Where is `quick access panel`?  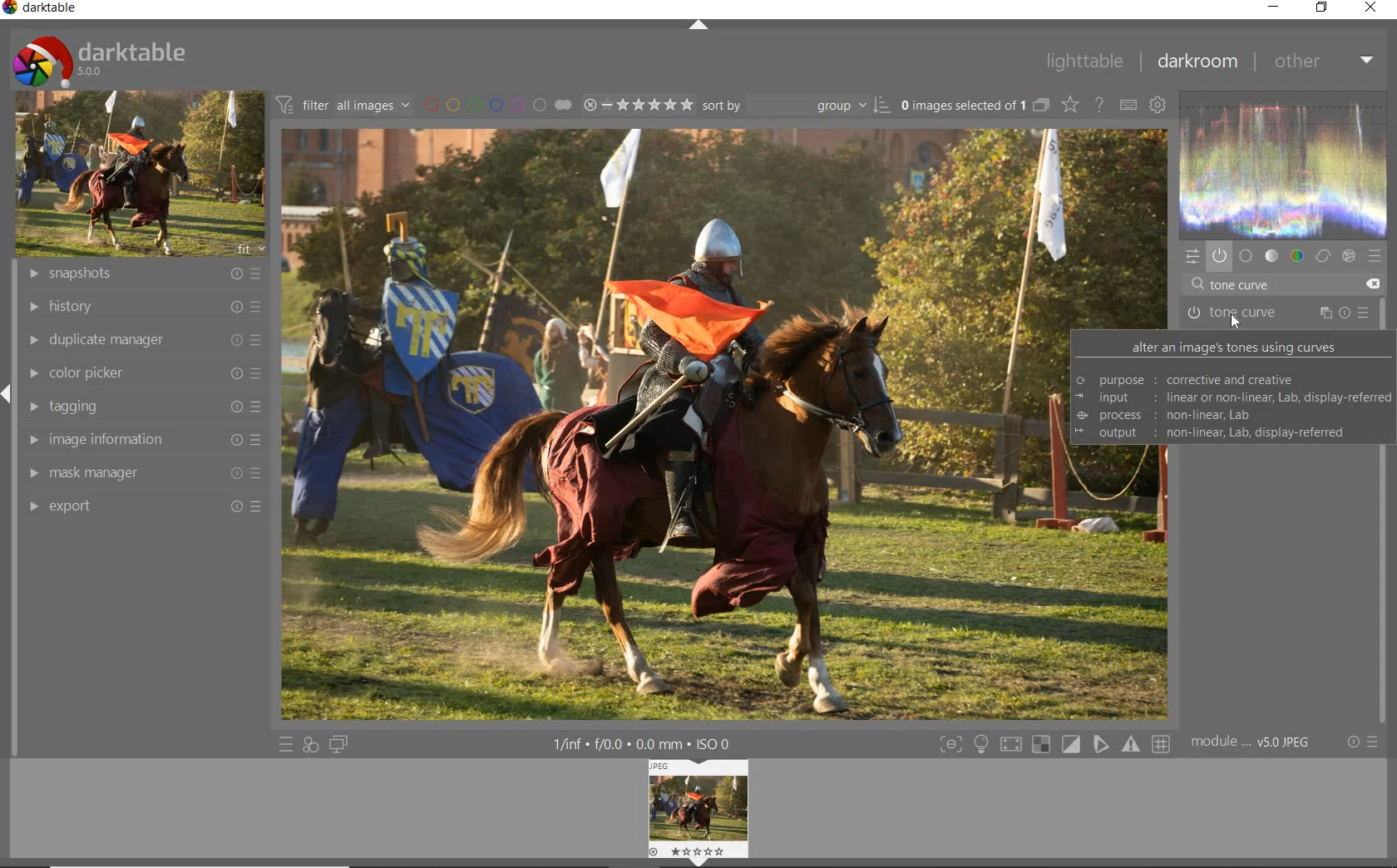 quick access panel is located at coordinates (1190, 256).